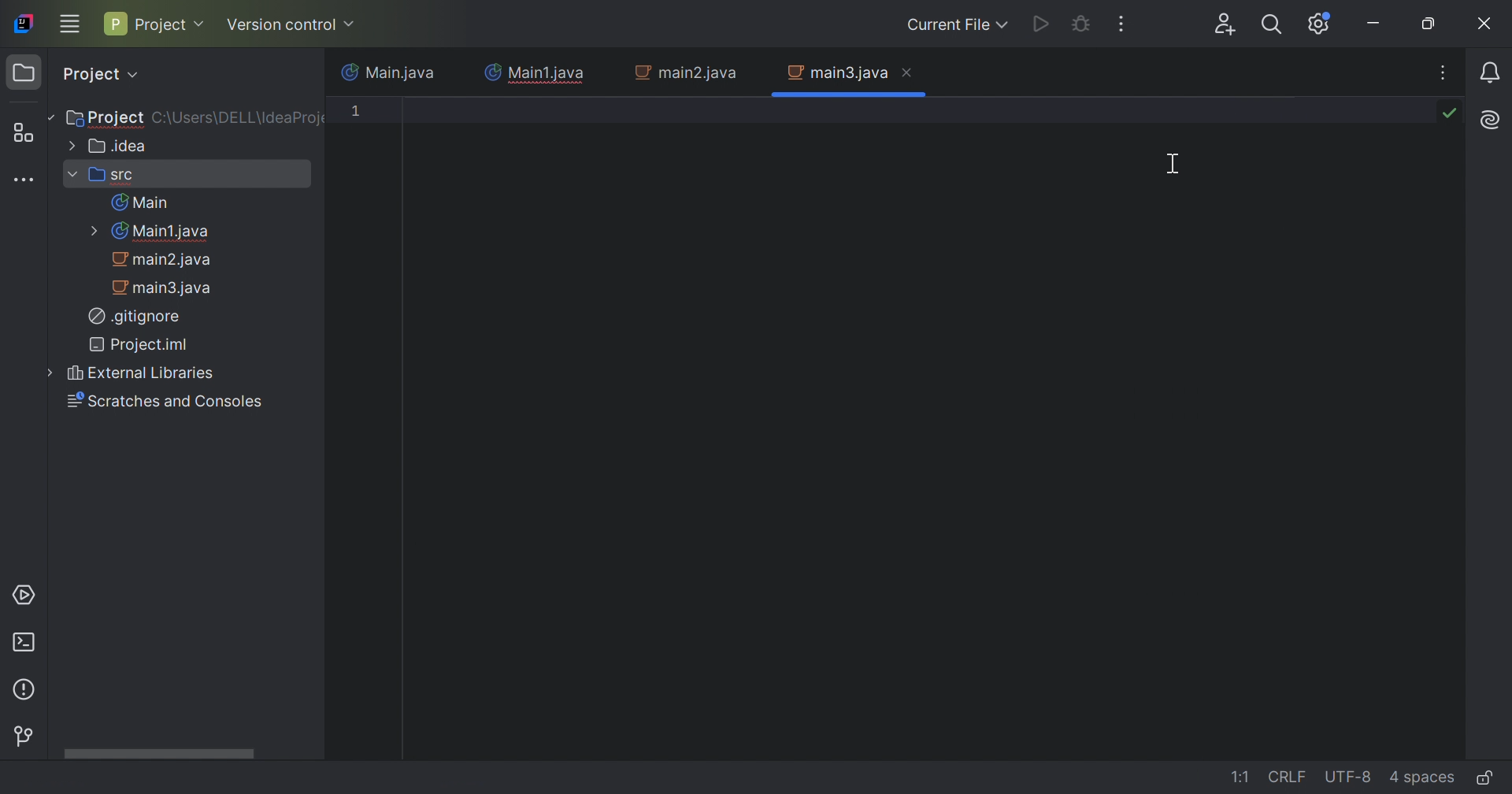 The width and height of the screenshot is (1512, 794). What do you see at coordinates (393, 72) in the screenshot?
I see `Main.java` at bounding box center [393, 72].